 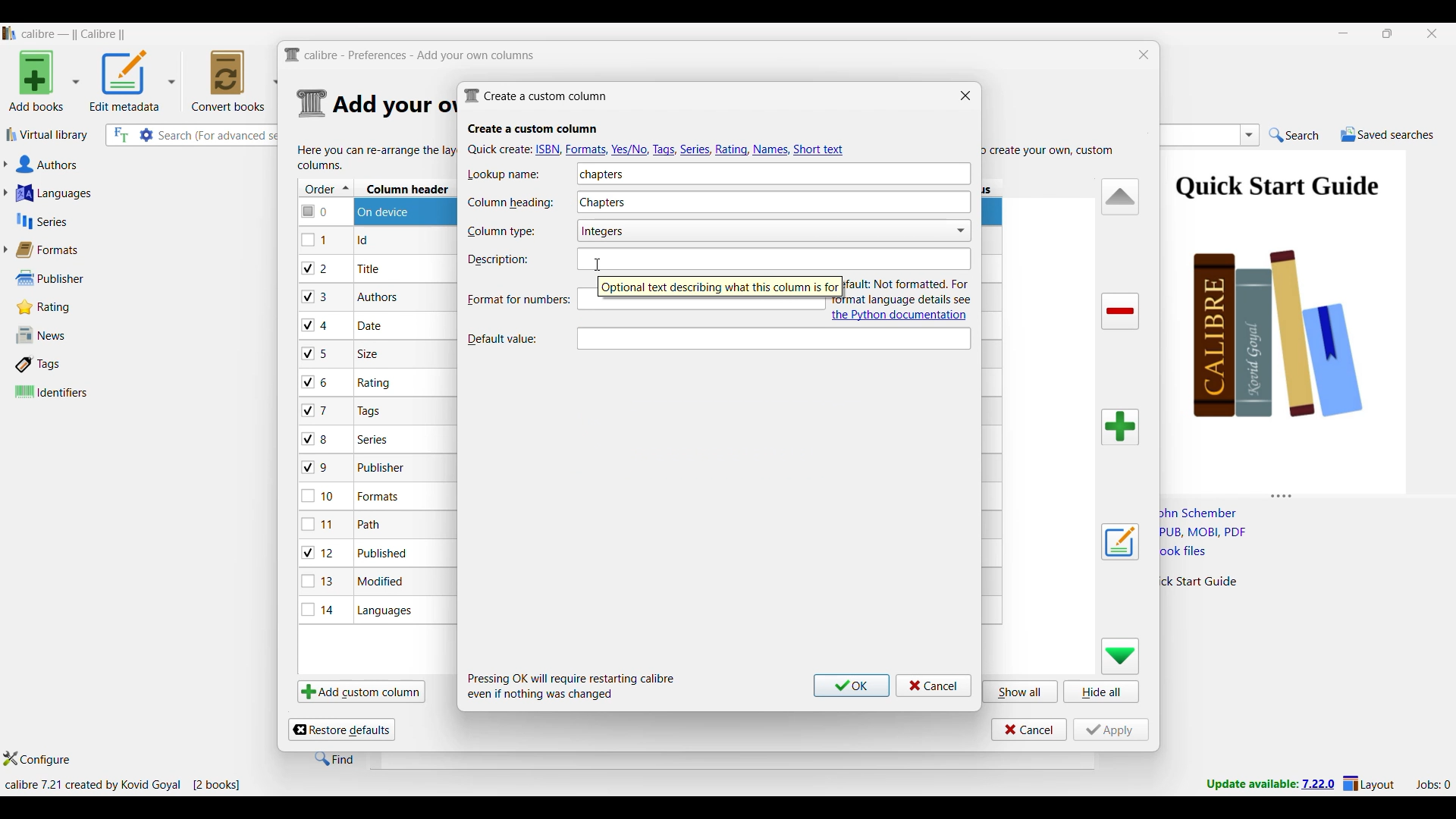 What do you see at coordinates (37, 758) in the screenshot?
I see `Configure` at bounding box center [37, 758].